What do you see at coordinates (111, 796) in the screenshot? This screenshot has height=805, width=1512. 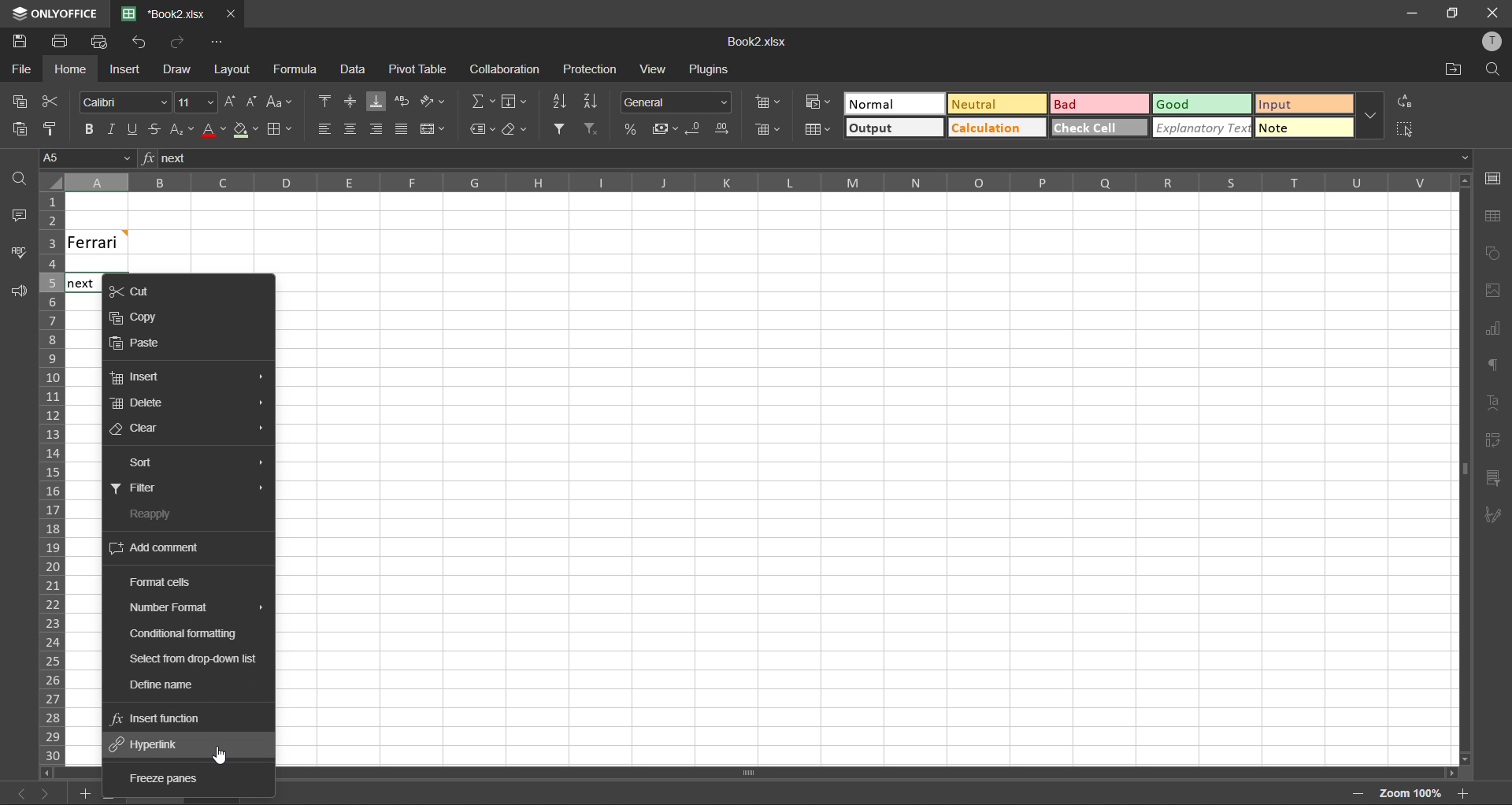 I see `sheet list` at bounding box center [111, 796].